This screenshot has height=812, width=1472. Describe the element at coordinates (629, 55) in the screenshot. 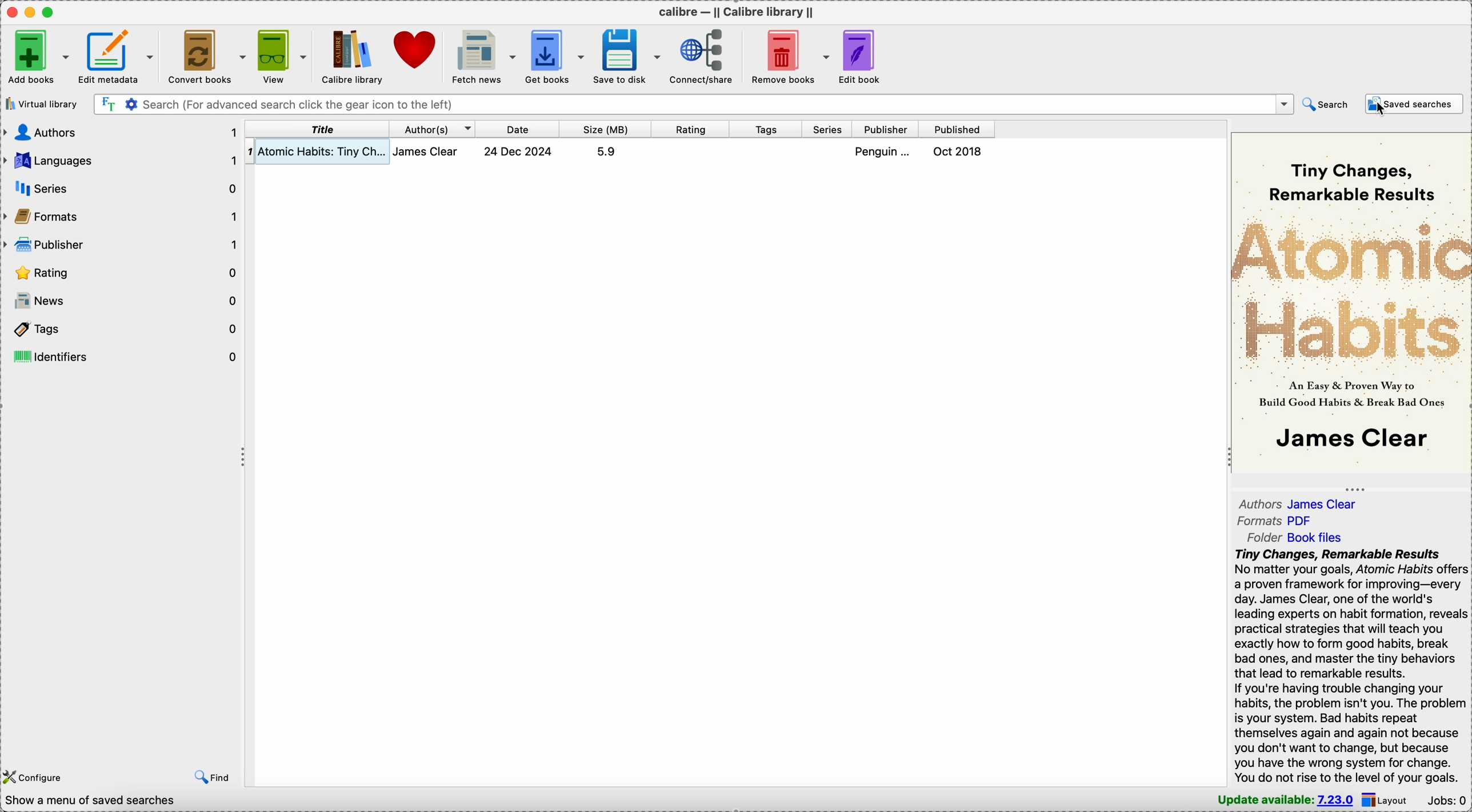

I see `save to disk` at that location.